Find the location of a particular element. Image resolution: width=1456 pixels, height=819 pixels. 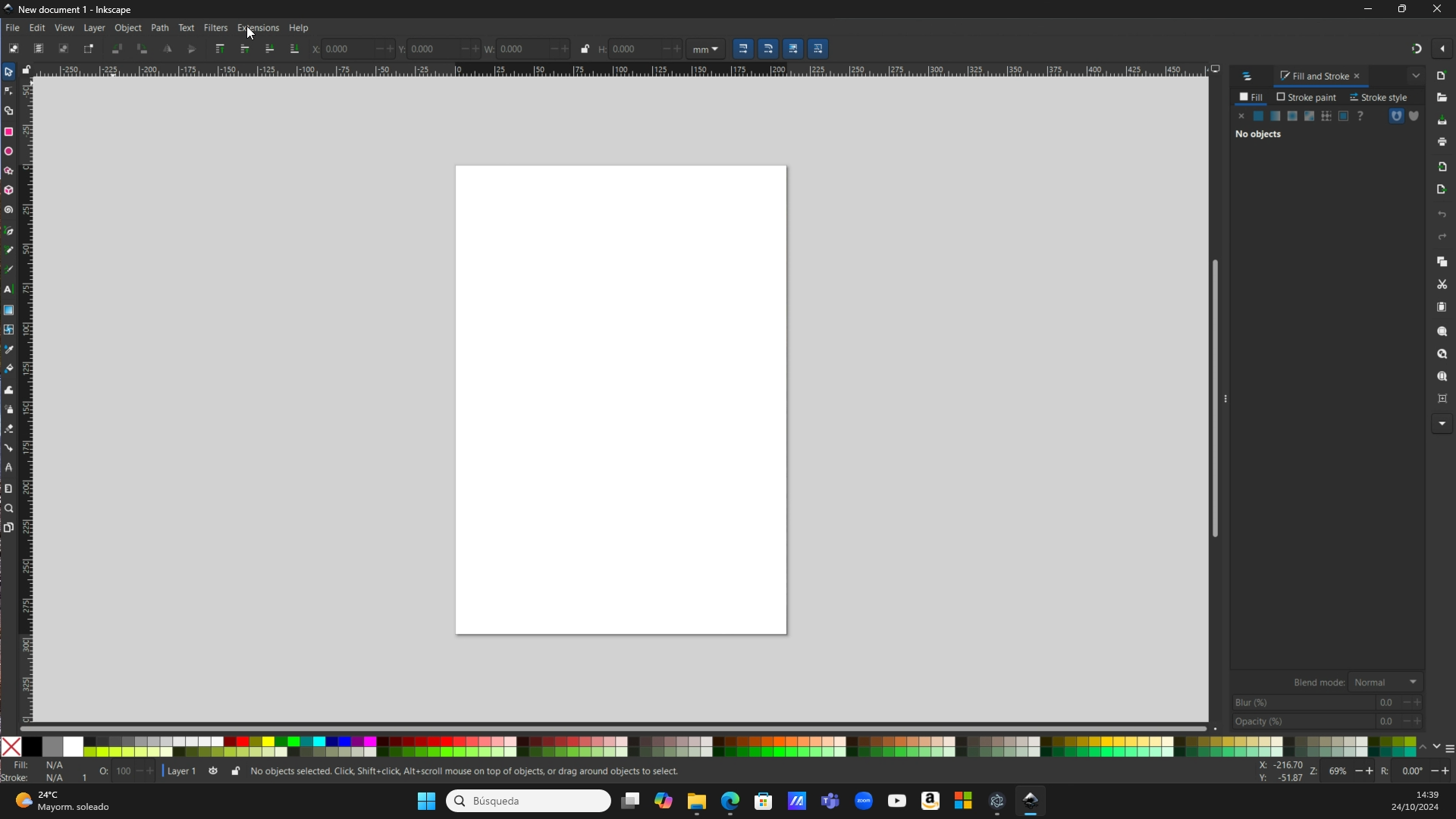

Custom Tool bar is located at coordinates (153, 49).